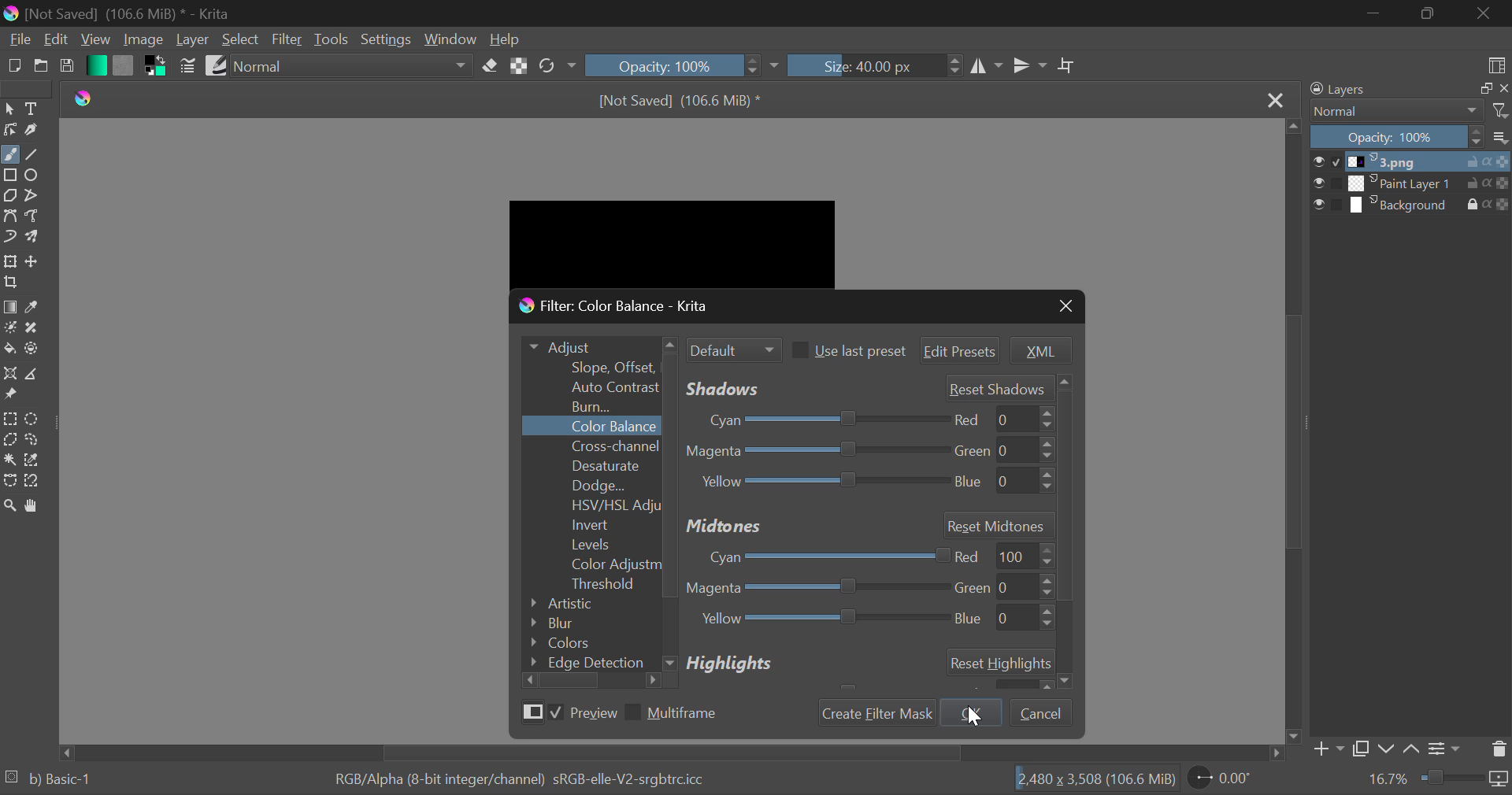 This screenshot has width=1512, height=795. What do you see at coordinates (9, 375) in the screenshot?
I see `Assistant Tool` at bounding box center [9, 375].